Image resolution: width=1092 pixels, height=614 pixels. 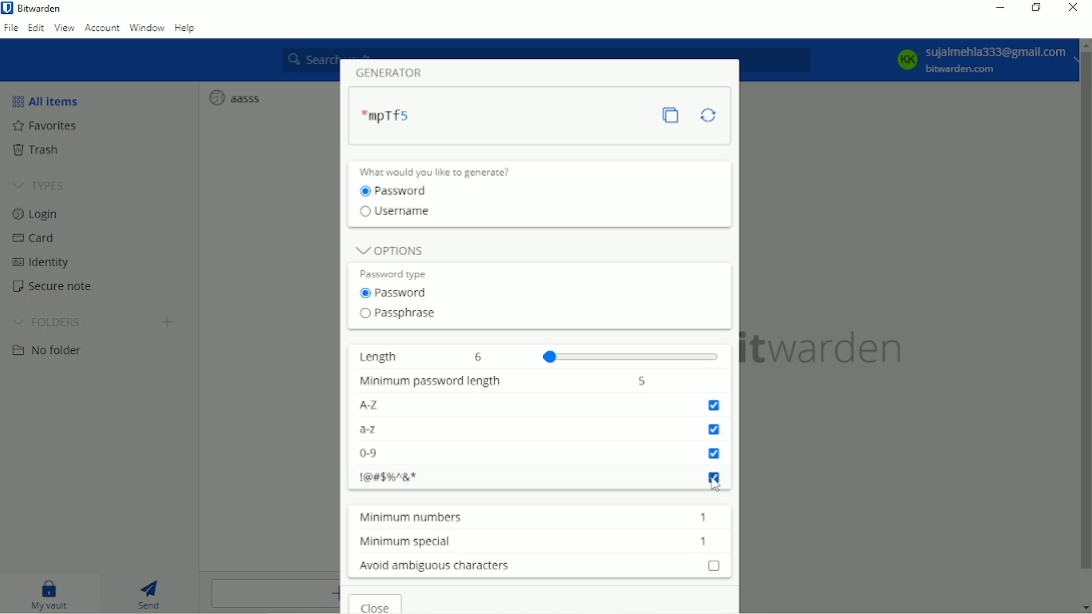 I want to click on Identity, so click(x=45, y=261).